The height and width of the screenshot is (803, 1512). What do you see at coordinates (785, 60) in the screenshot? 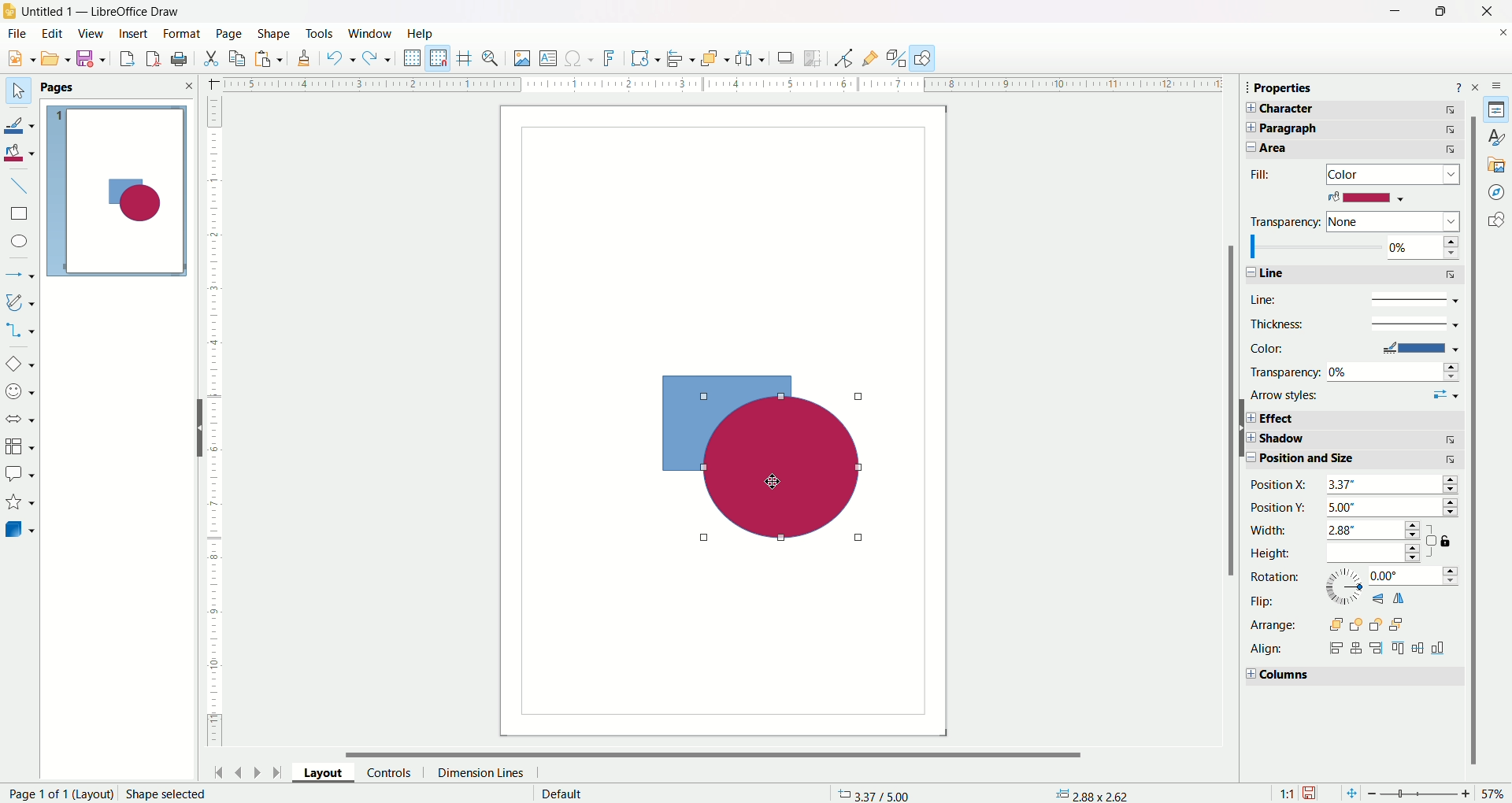
I see `shadow` at bounding box center [785, 60].